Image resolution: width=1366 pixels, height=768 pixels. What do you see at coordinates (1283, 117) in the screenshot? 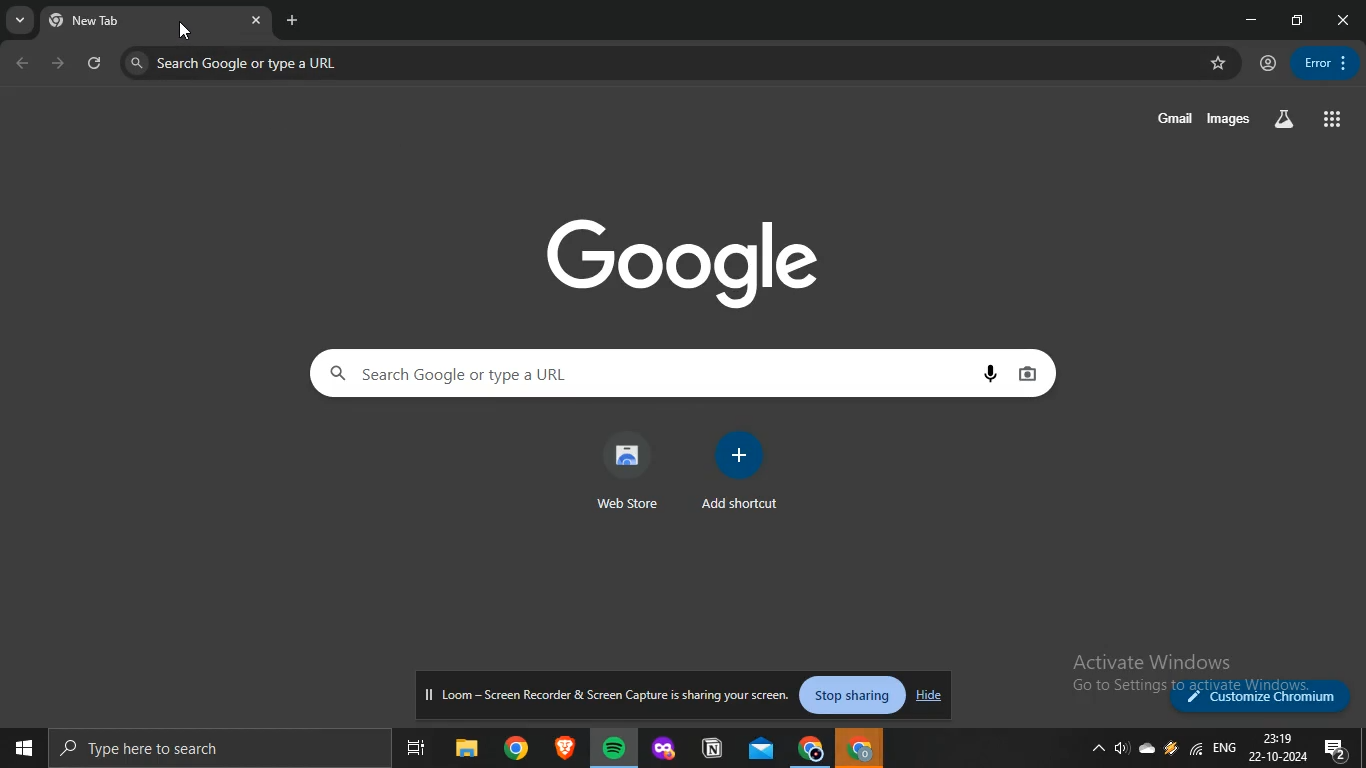
I see `search labs` at bounding box center [1283, 117].